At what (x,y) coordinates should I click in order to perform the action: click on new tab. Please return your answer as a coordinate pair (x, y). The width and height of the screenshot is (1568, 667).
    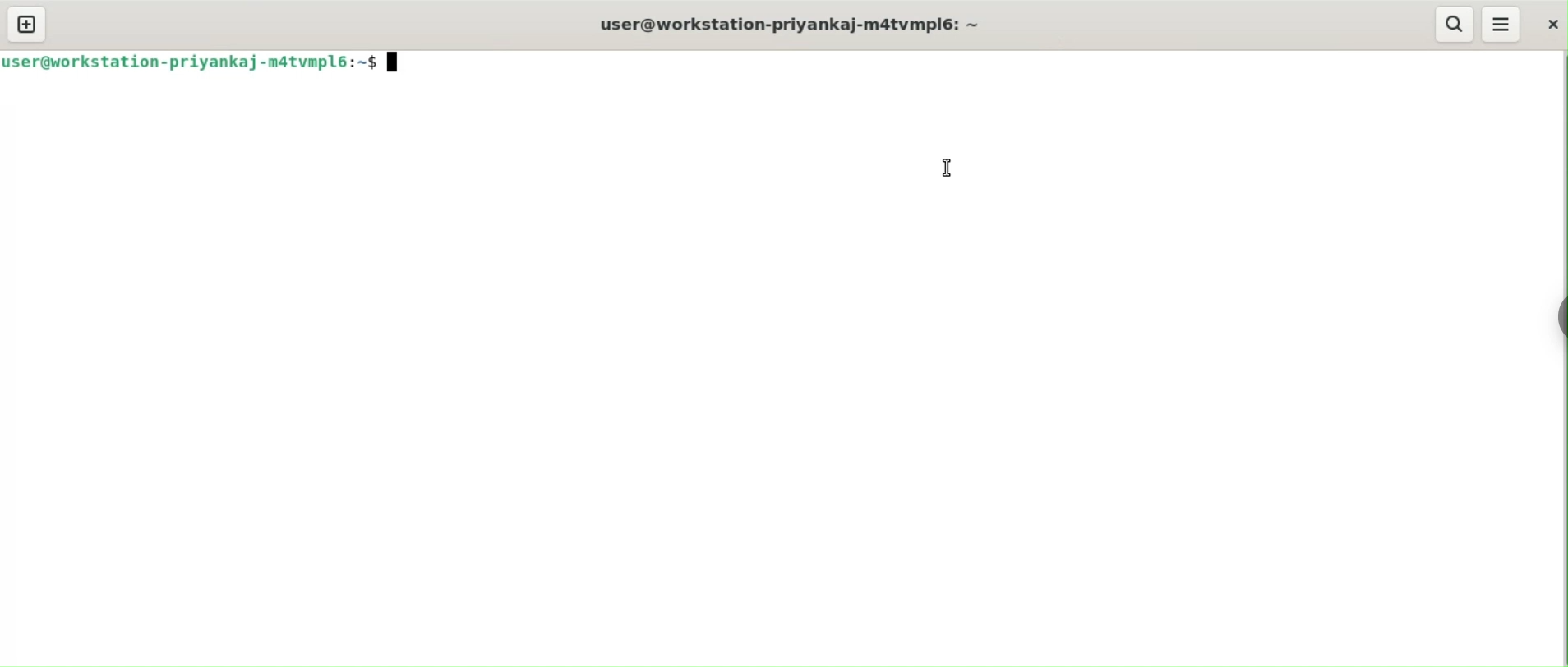
    Looking at the image, I should click on (27, 22).